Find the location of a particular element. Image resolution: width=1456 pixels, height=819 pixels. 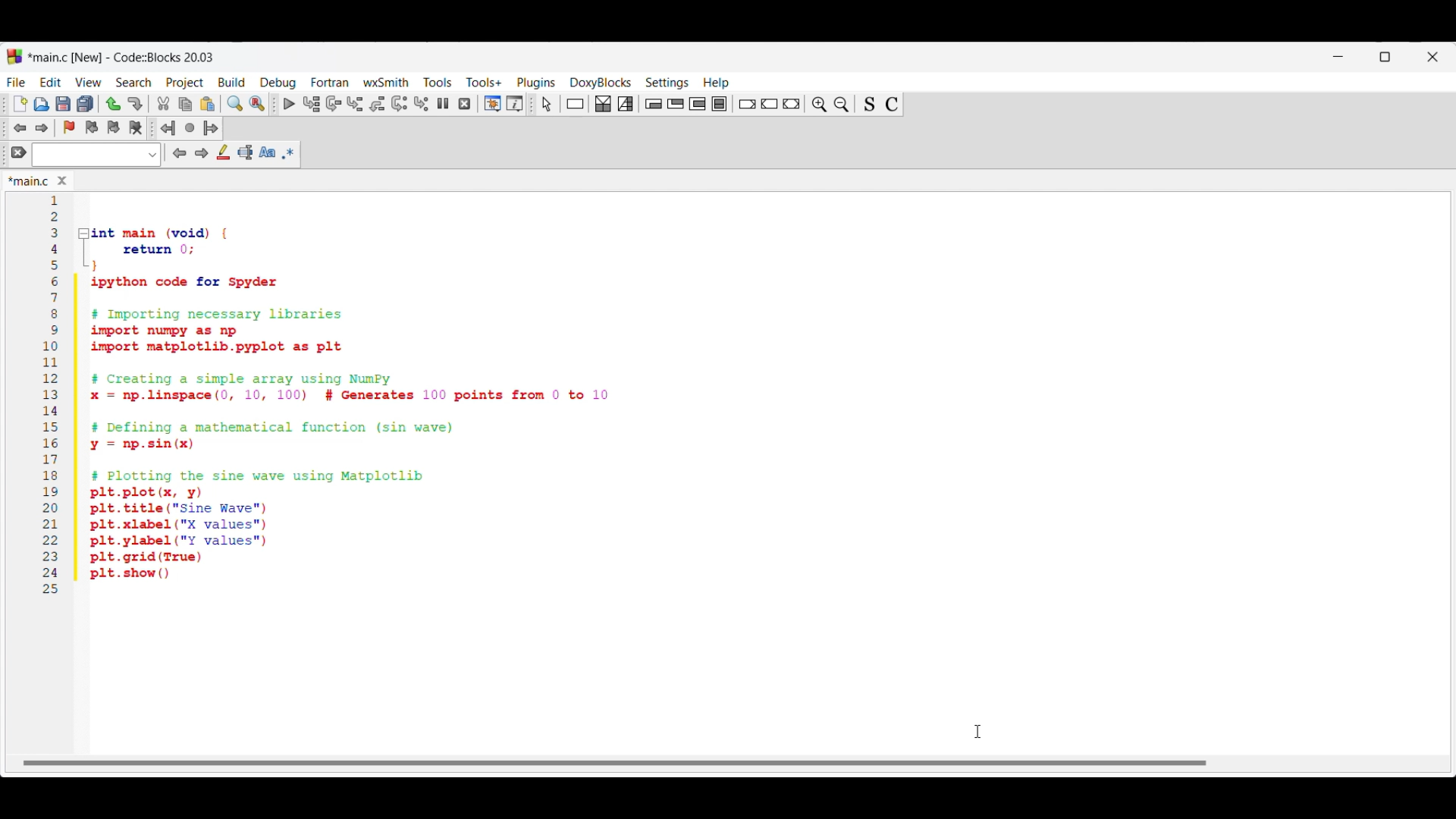

New file is located at coordinates (20, 104).